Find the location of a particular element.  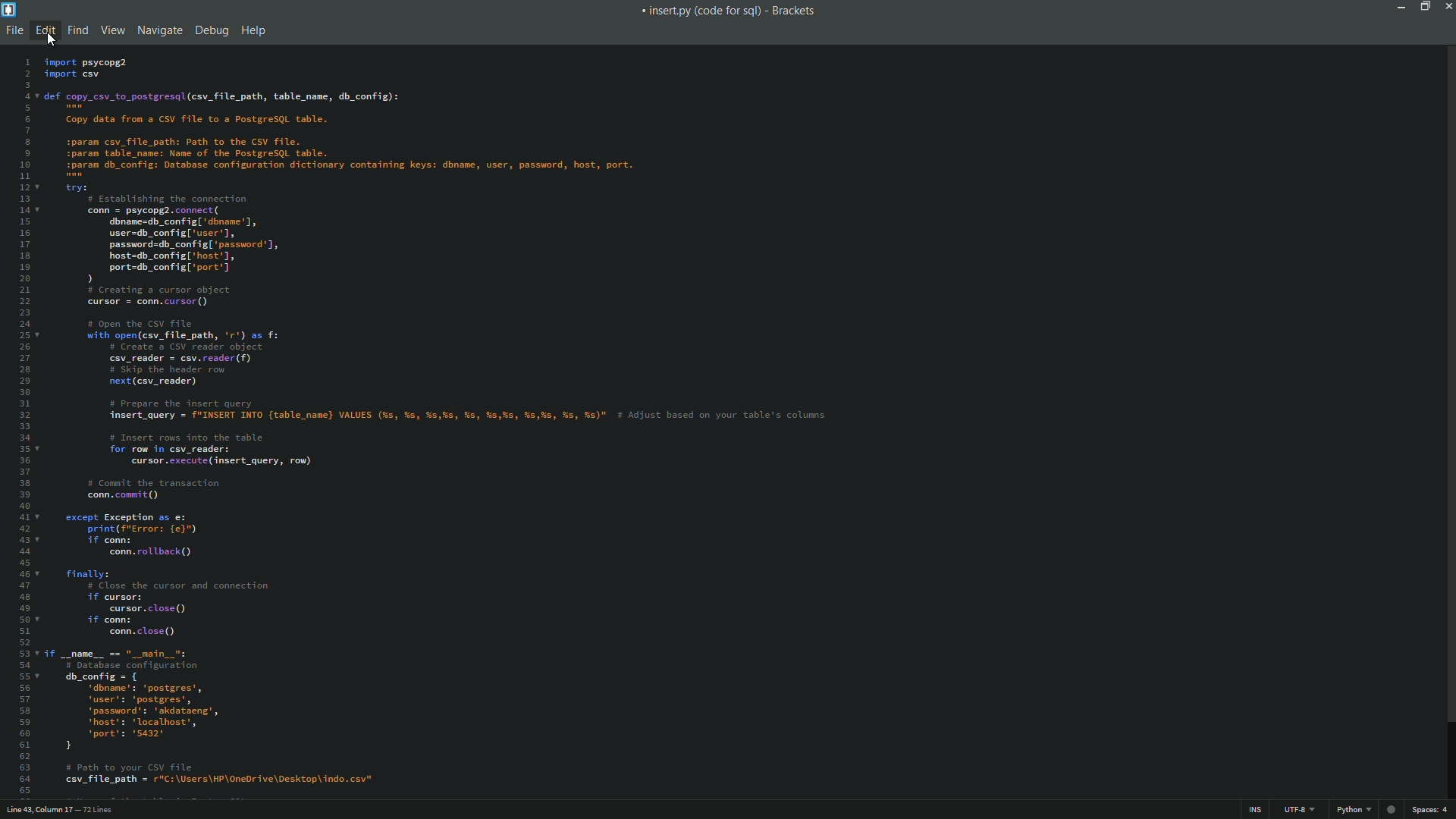

file menu is located at coordinates (12, 31).